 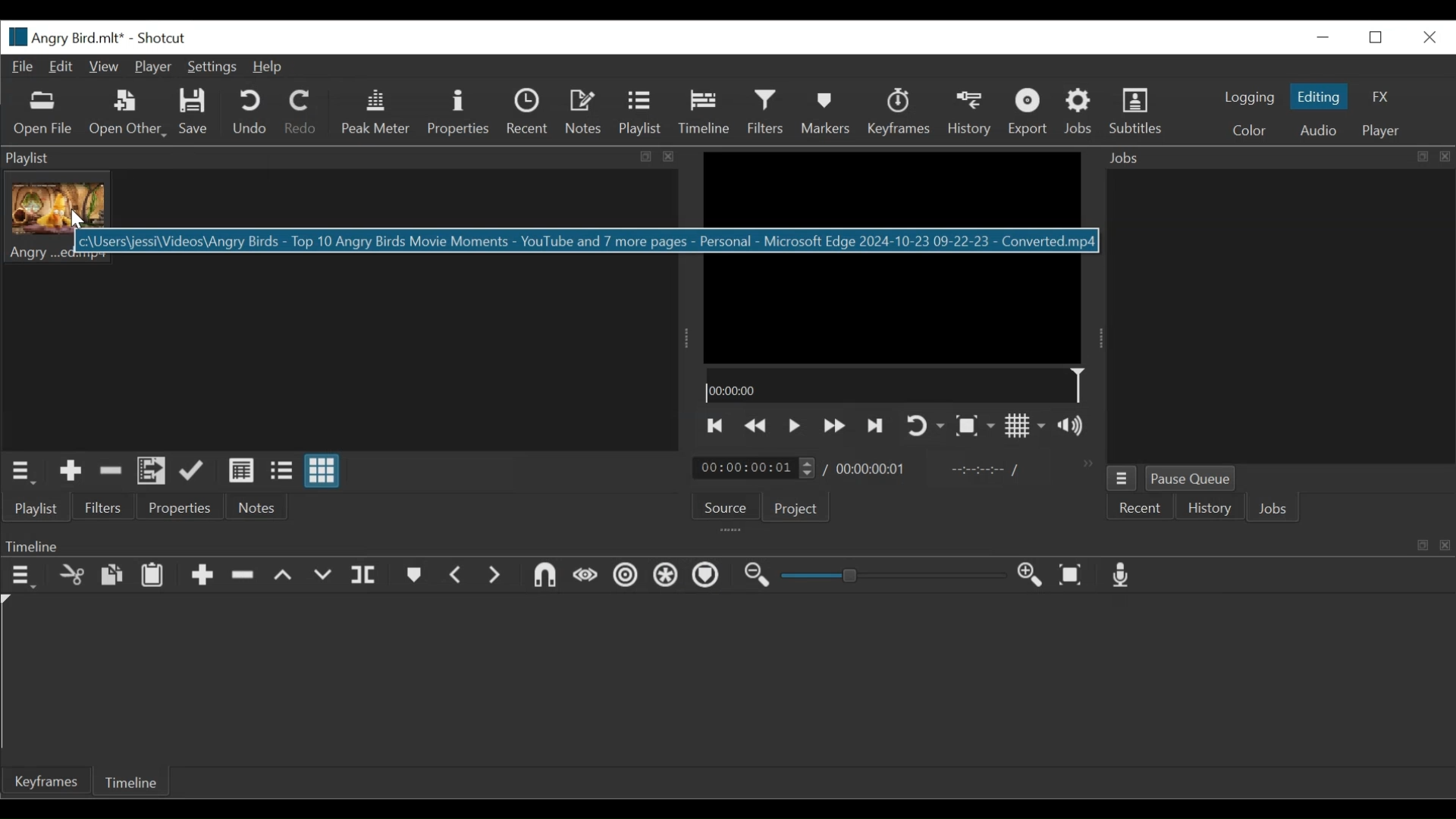 What do you see at coordinates (413, 577) in the screenshot?
I see `Markers` at bounding box center [413, 577].